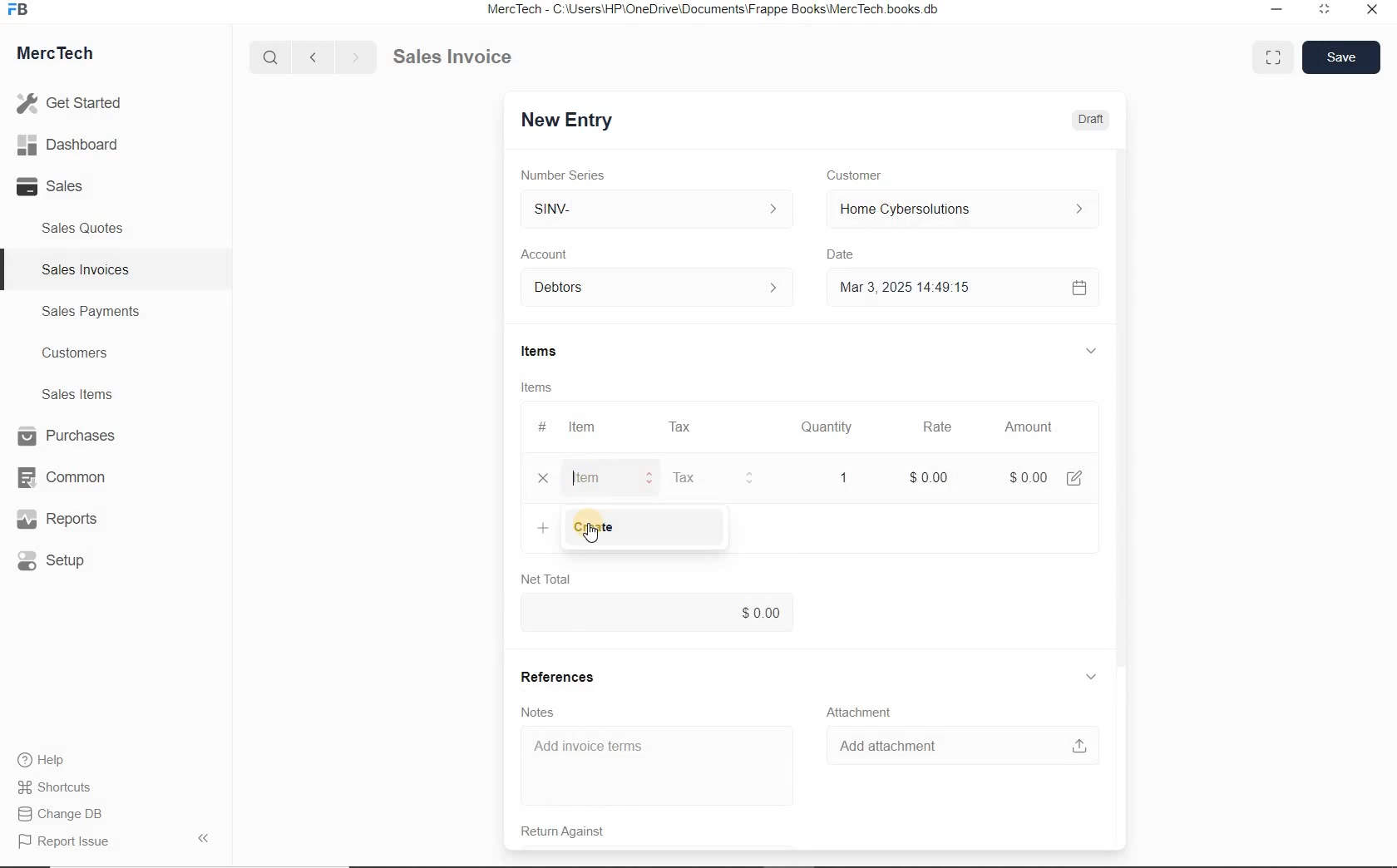 Image resolution: width=1397 pixels, height=868 pixels. Describe the element at coordinates (355, 57) in the screenshot. I see `Go forward` at that location.